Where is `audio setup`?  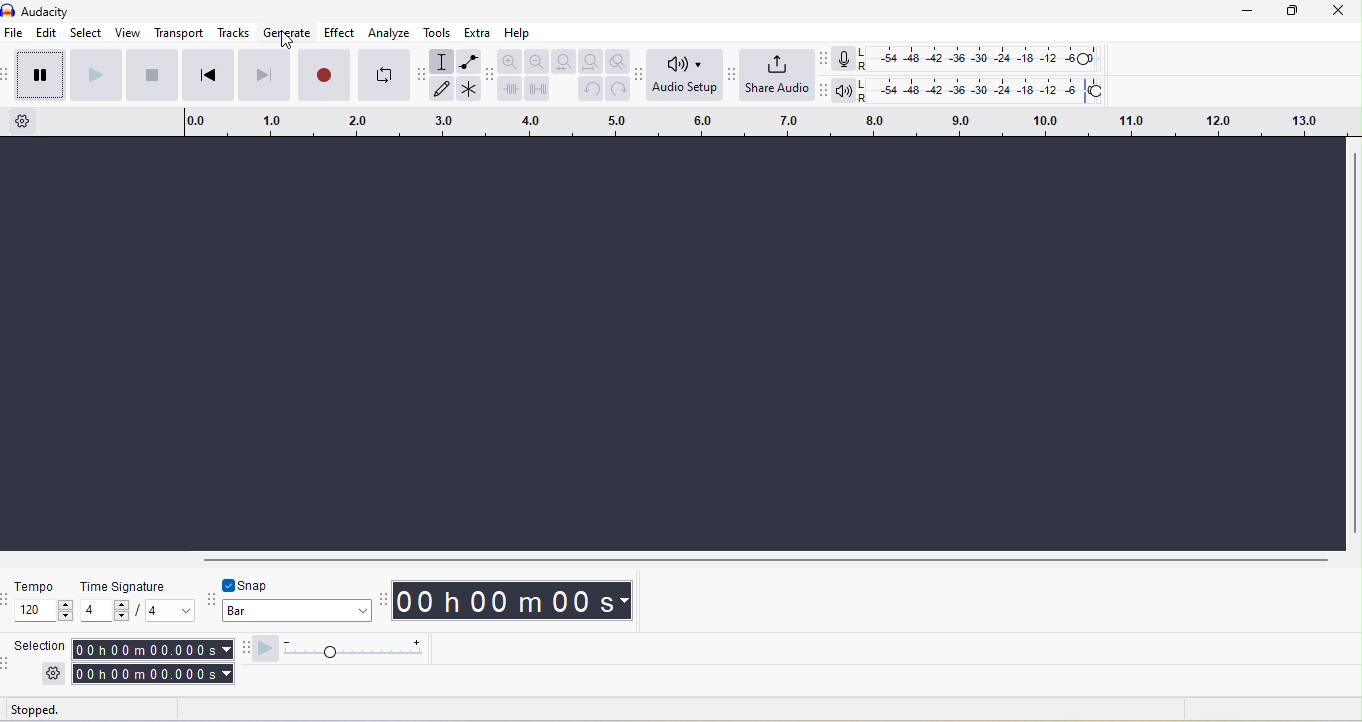
audio setup is located at coordinates (687, 76).